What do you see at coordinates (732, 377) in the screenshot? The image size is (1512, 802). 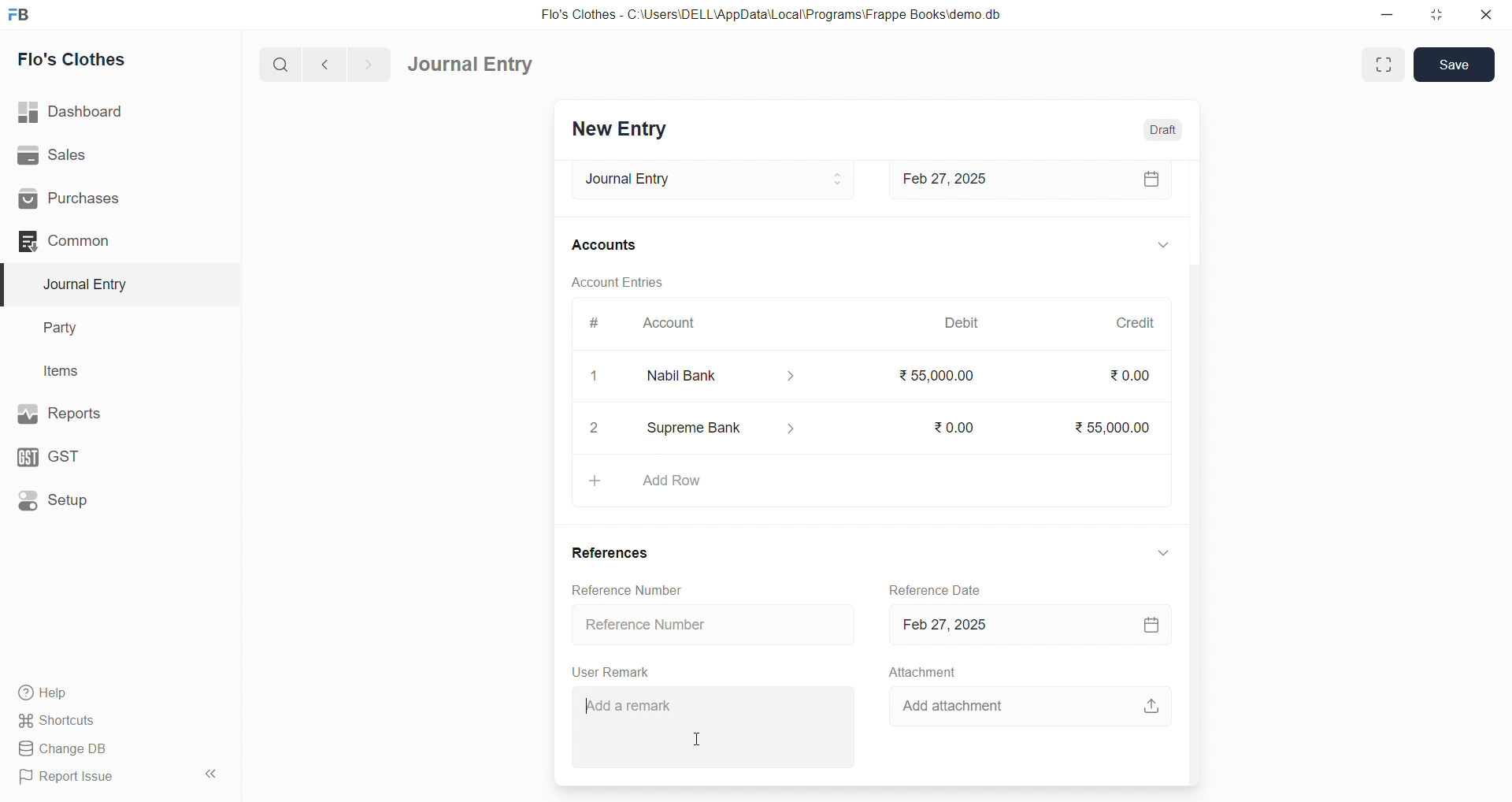 I see `Nabil Bank` at bounding box center [732, 377].